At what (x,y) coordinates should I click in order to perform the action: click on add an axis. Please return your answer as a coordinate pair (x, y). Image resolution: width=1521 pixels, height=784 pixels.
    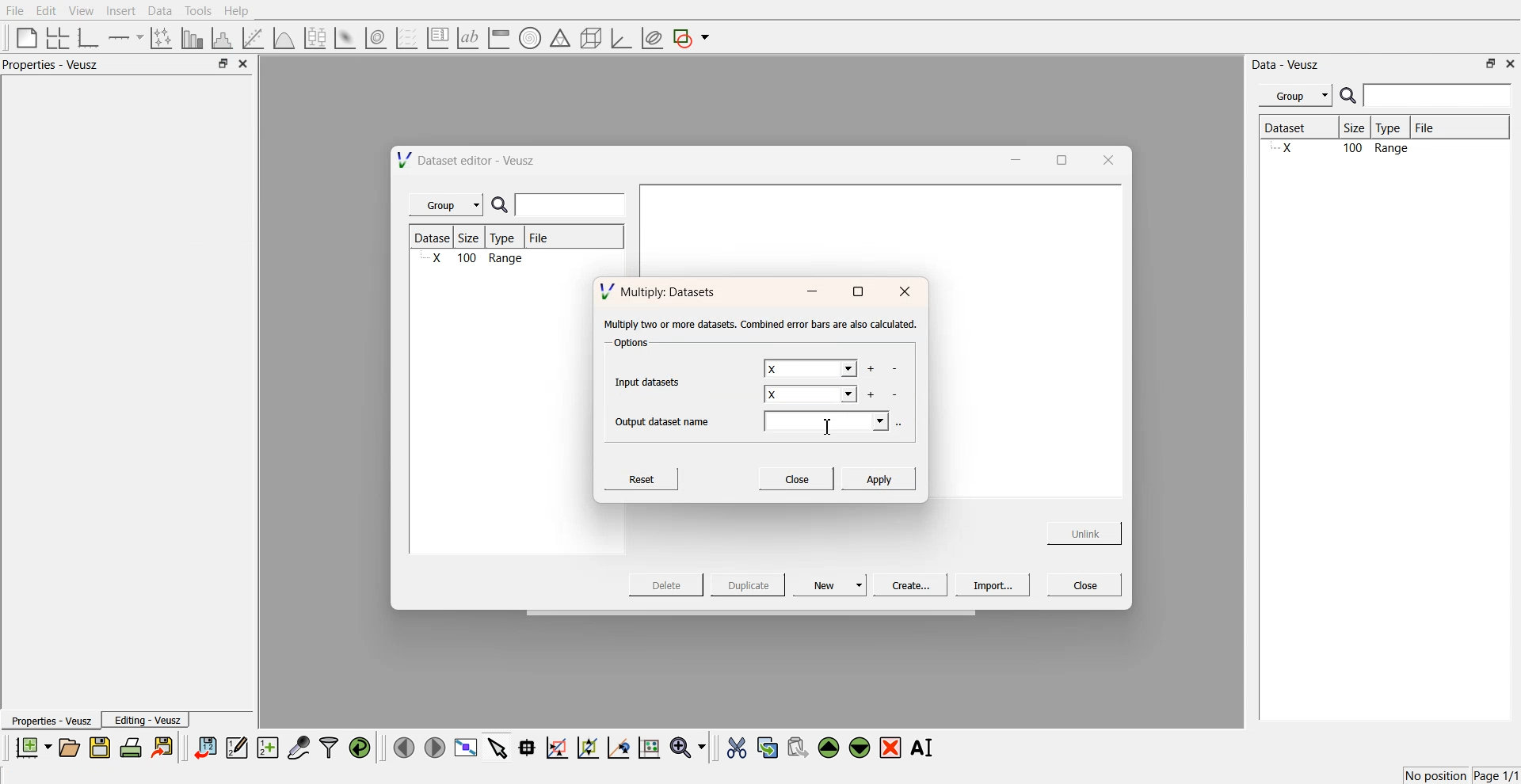
    Looking at the image, I should click on (127, 37).